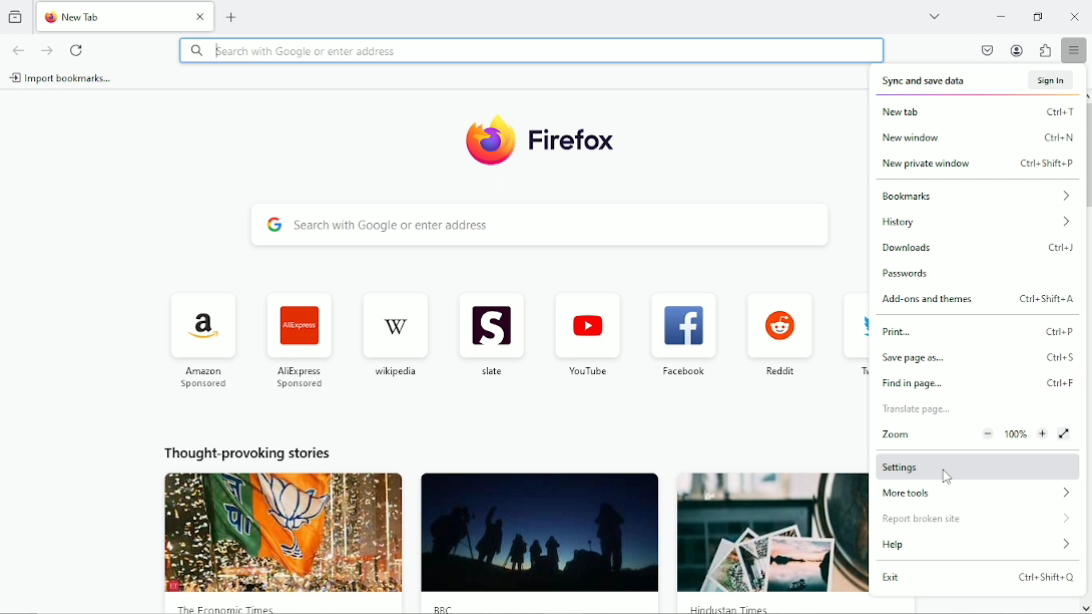 The image size is (1092, 614). Describe the element at coordinates (1044, 50) in the screenshot. I see `extensions` at that location.